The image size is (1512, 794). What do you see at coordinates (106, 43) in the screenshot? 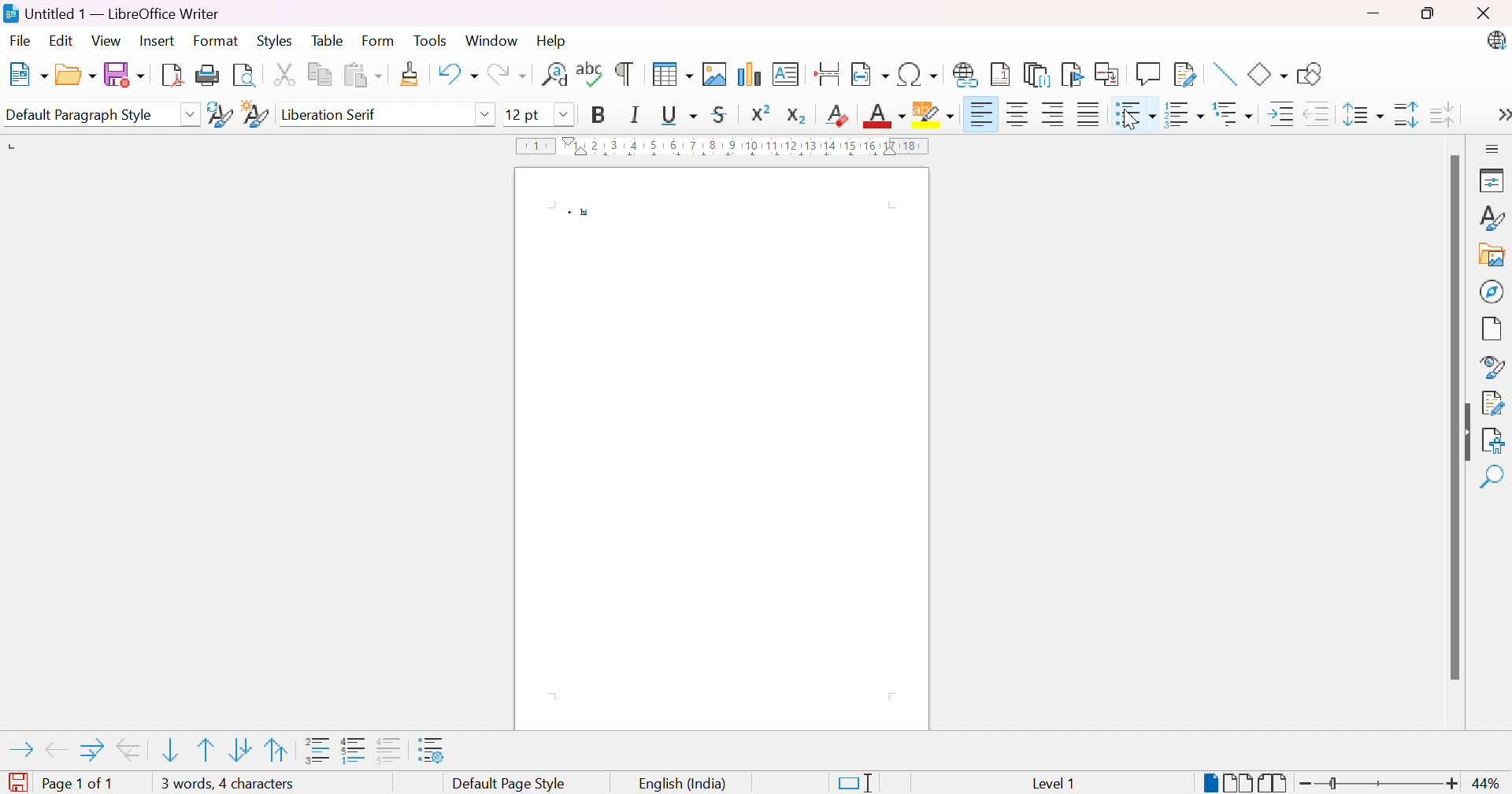
I see `View` at bounding box center [106, 43].